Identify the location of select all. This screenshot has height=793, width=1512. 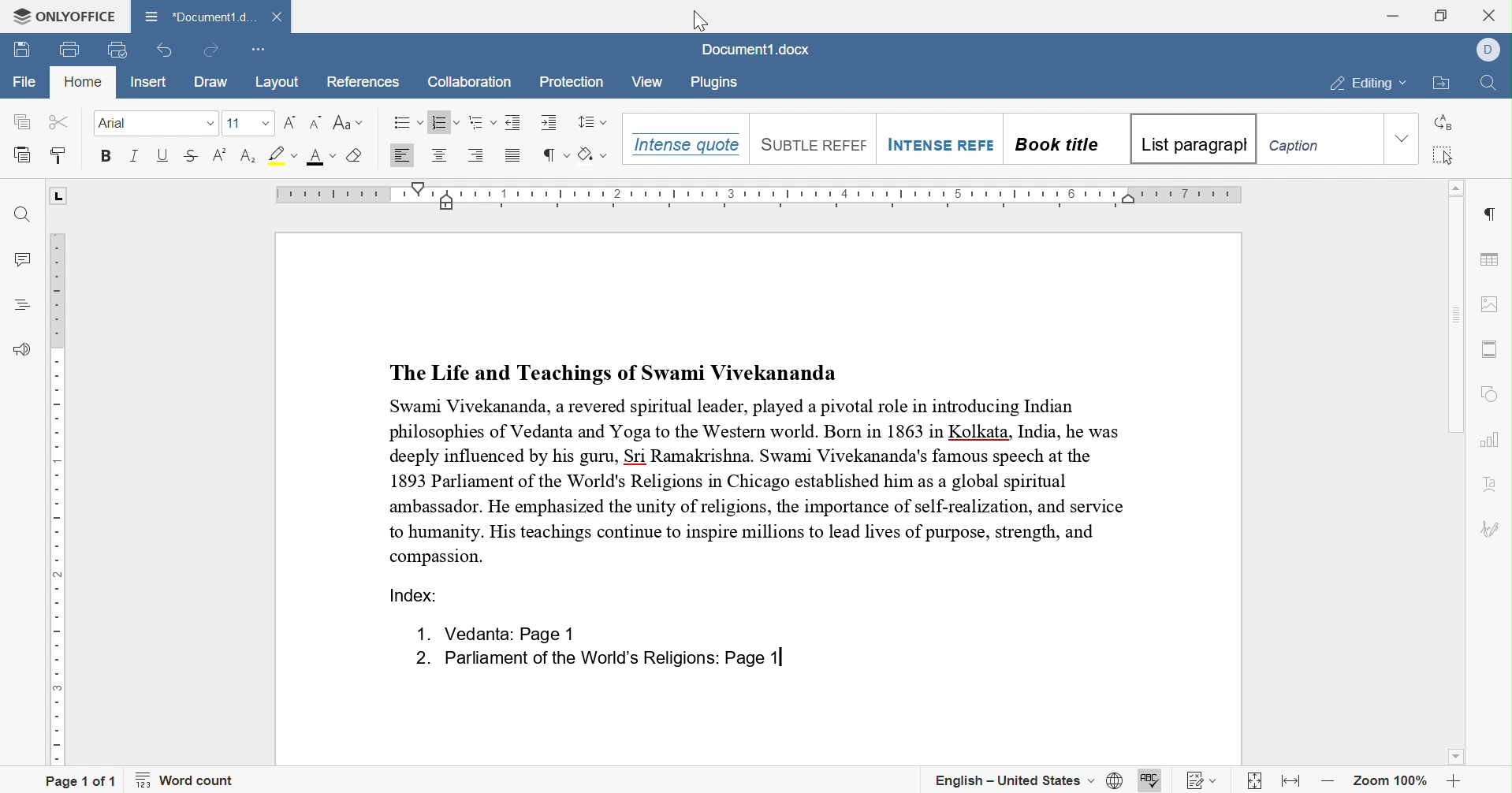
(1443, 156).